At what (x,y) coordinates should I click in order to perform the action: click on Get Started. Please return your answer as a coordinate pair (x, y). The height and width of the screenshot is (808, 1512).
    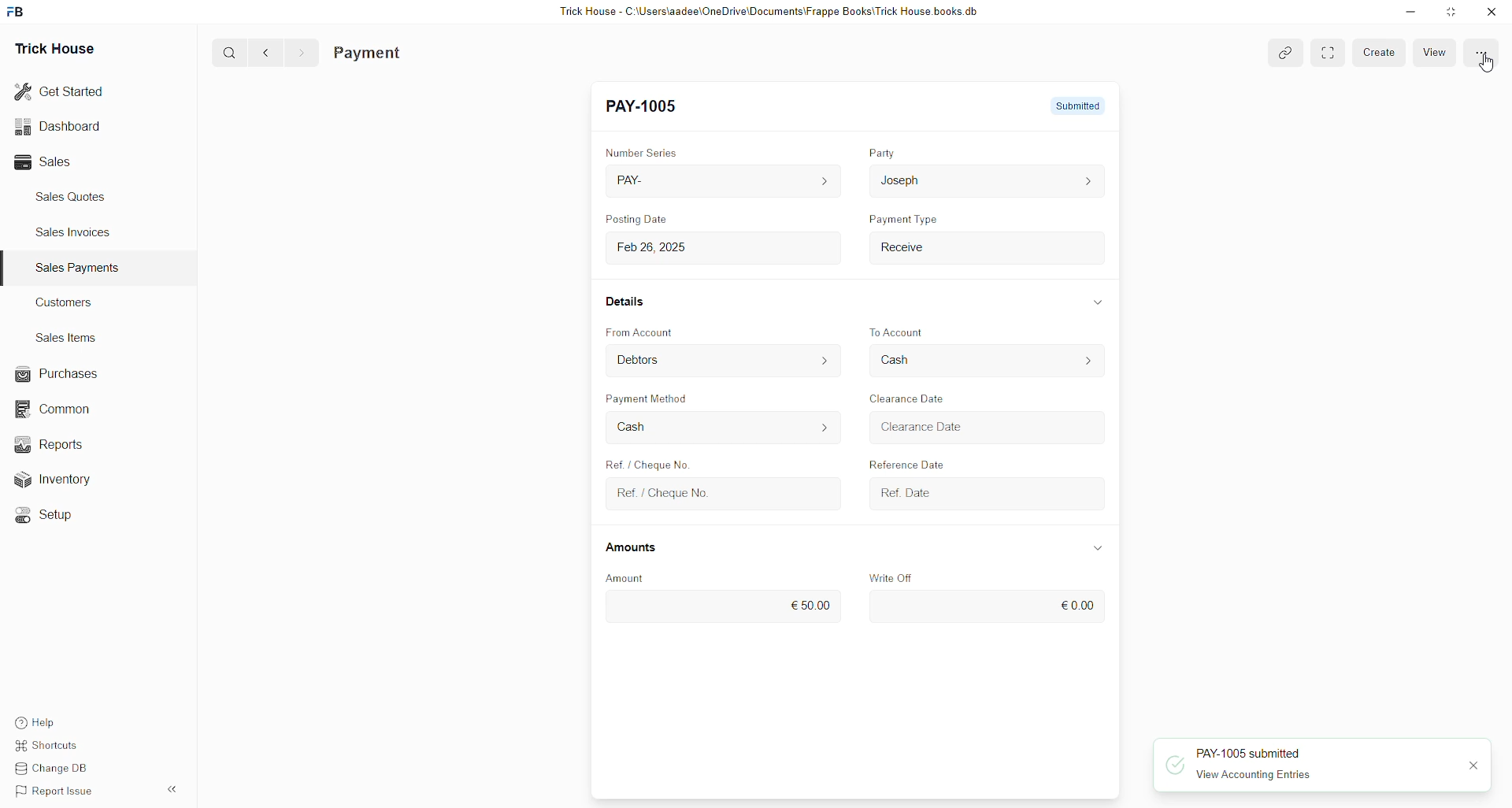
    Looking at the image, I should click on (60, 92).